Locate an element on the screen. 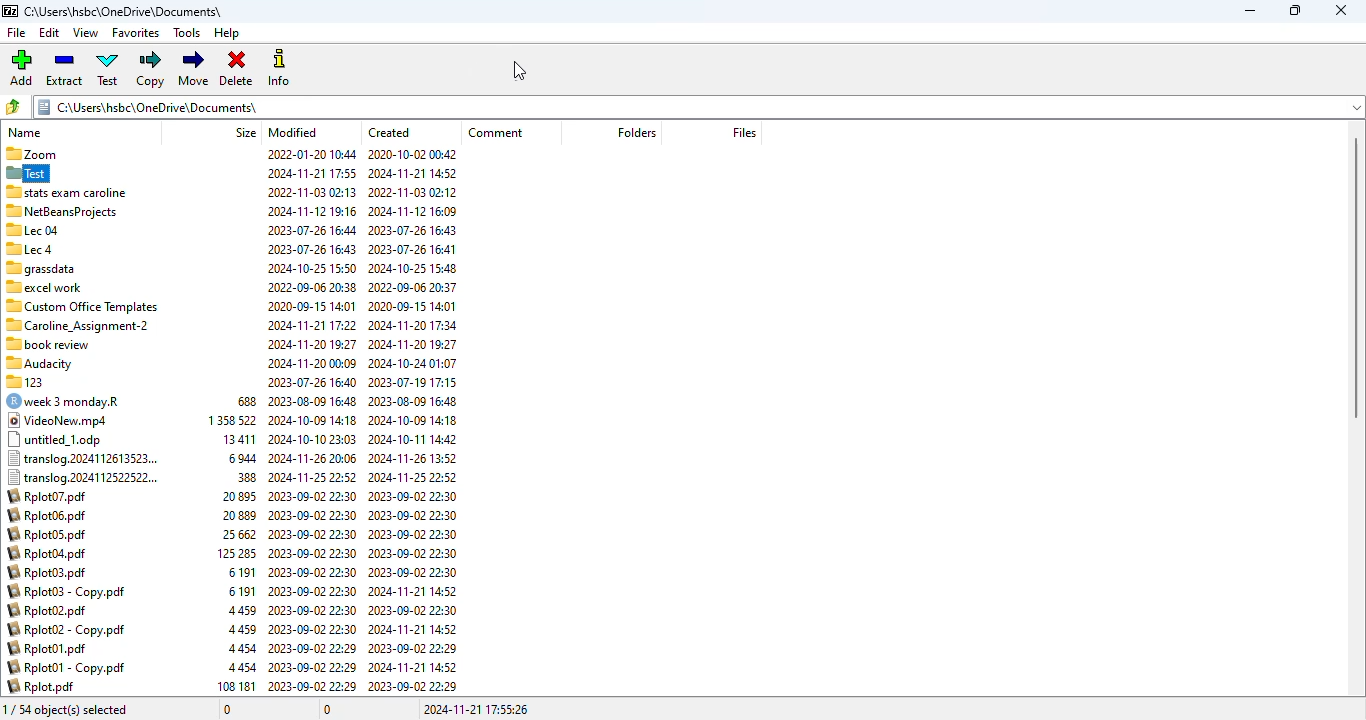  grassdata is located at coordinates (41, 268).